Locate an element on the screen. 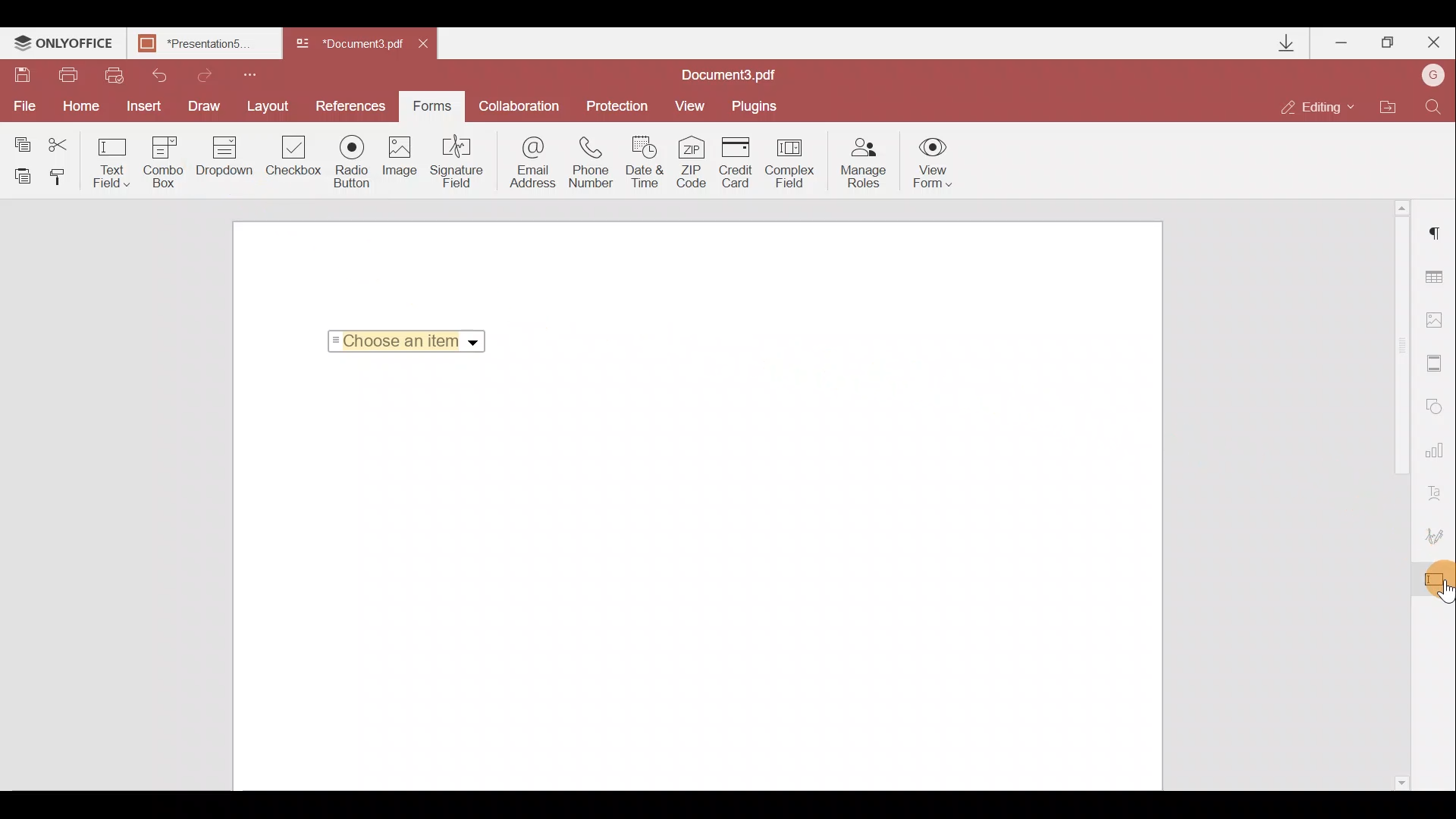 Image resolution: width=1456 pixels, height=819 pixels. Dropdown is located at coordinates (221, 165).